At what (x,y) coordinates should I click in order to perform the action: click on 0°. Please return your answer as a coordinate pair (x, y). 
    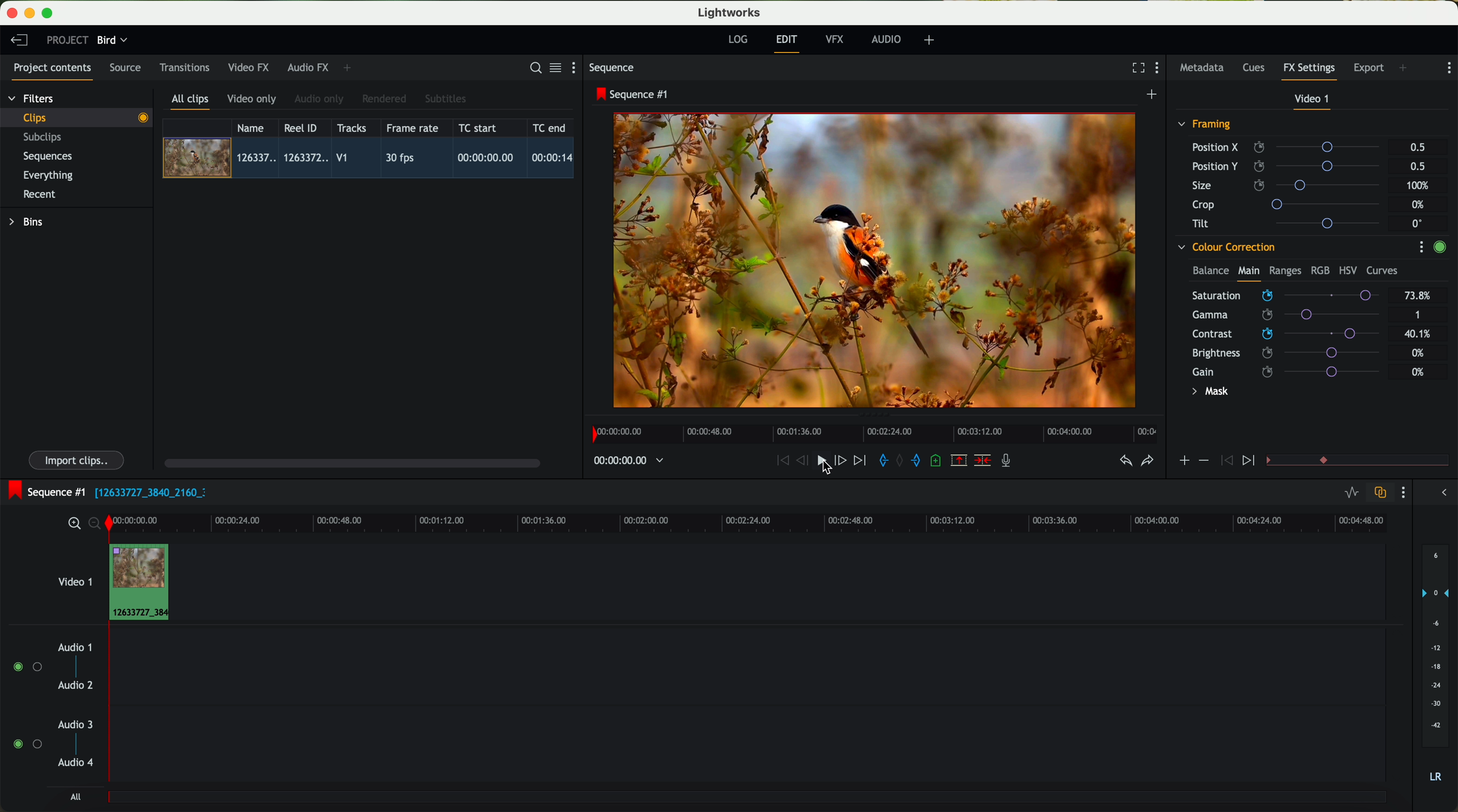
    Looking at the image, I should click on (1418, 223).